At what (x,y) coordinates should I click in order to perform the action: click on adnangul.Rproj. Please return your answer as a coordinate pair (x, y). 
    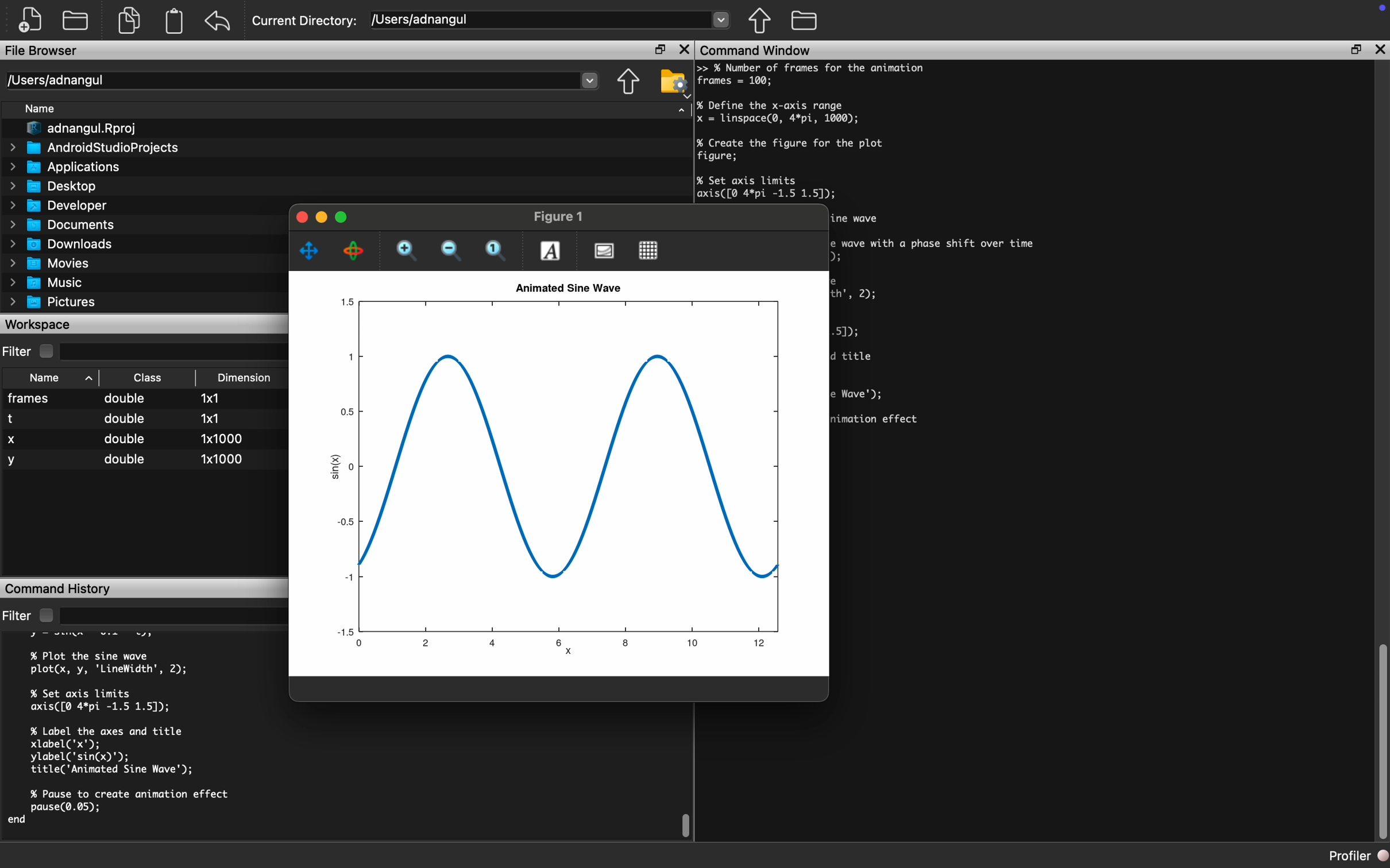
    Looking at the image, I should click on (80, 129).